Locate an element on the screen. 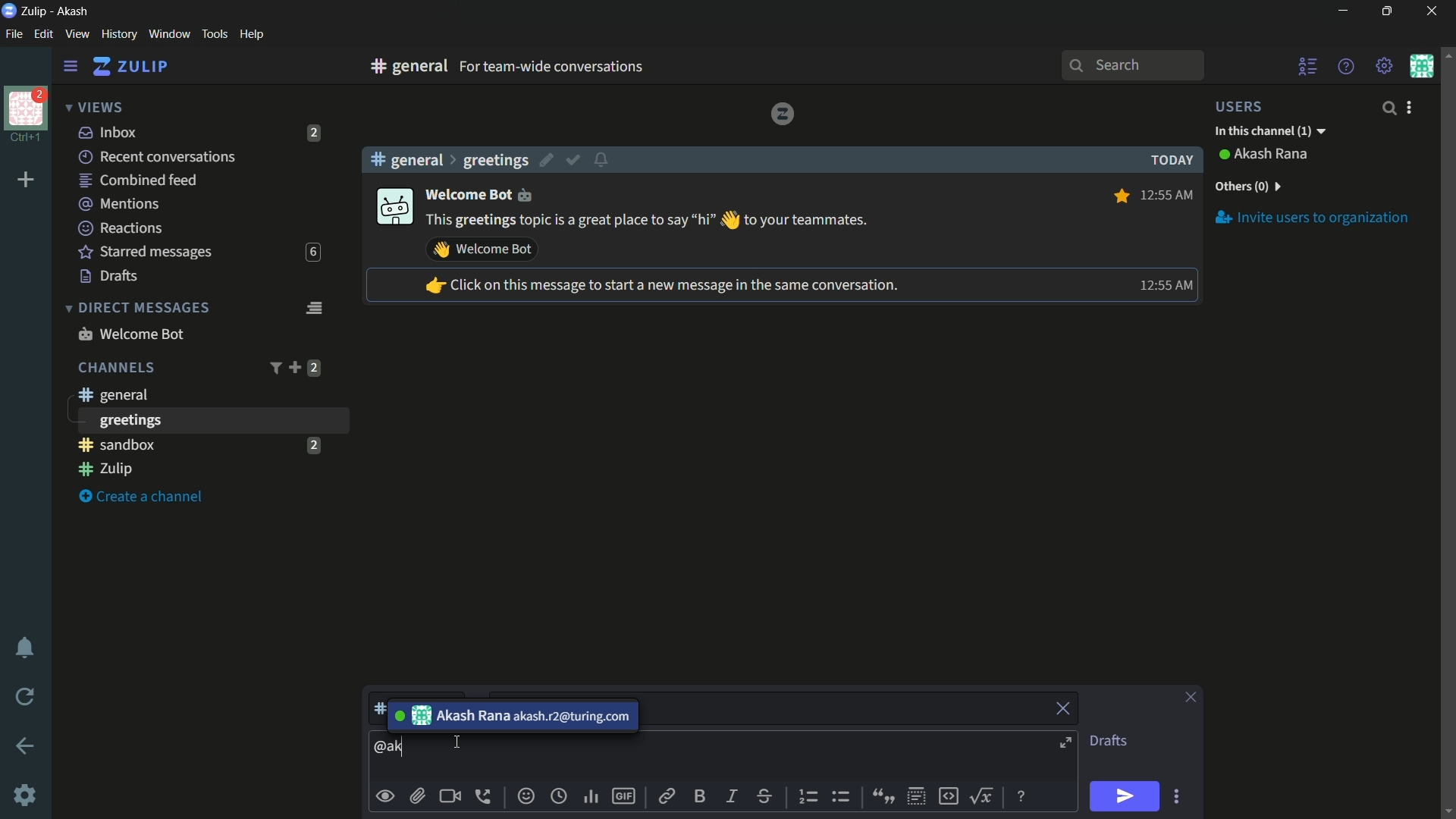 The image size is (1456, 819). add video call is located at coordinates (450, 796).